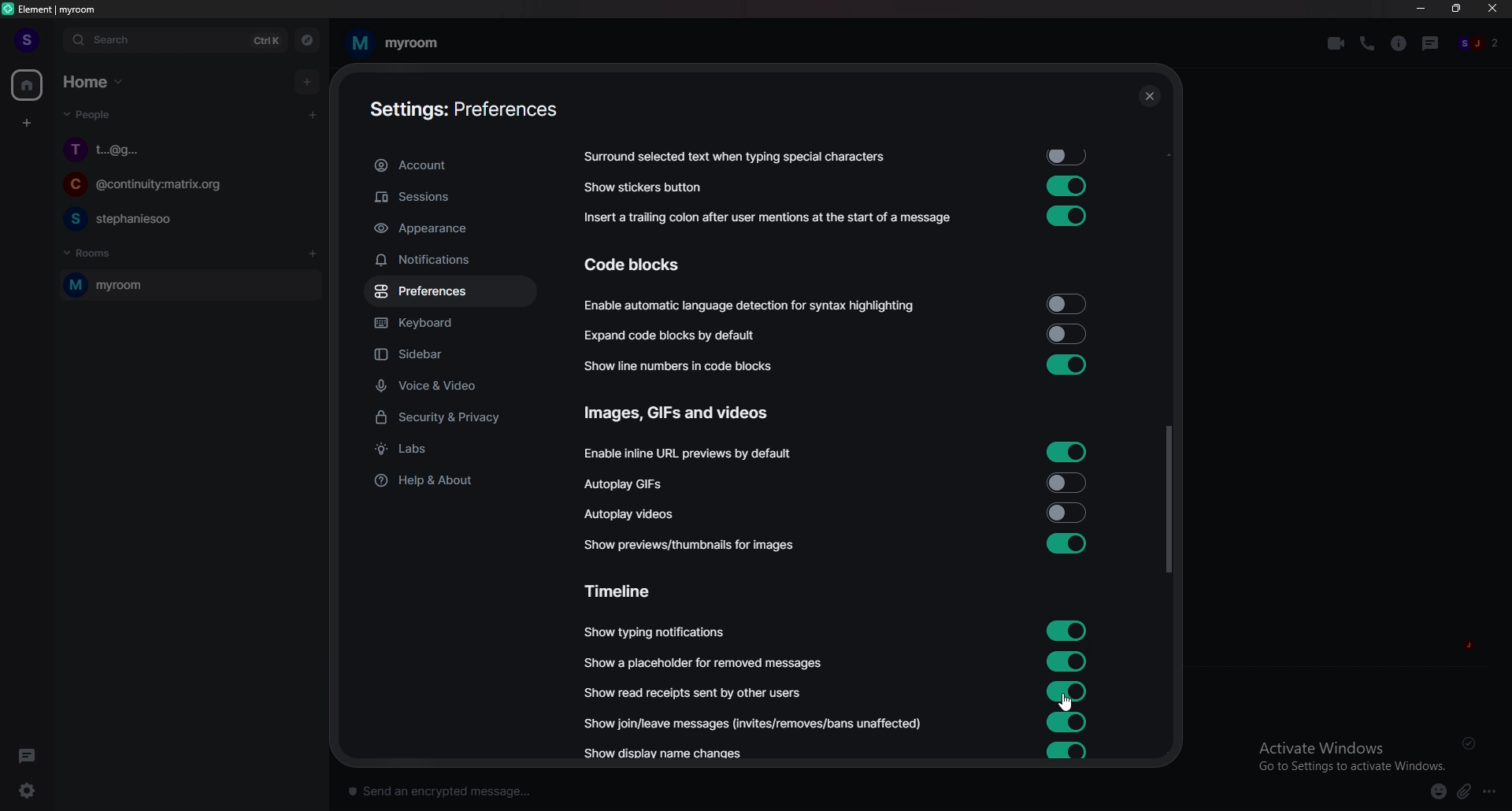  What do you see at coordinates (449, 198) in the screenshot?
I see `sessions` at bounding box center [449, 198].